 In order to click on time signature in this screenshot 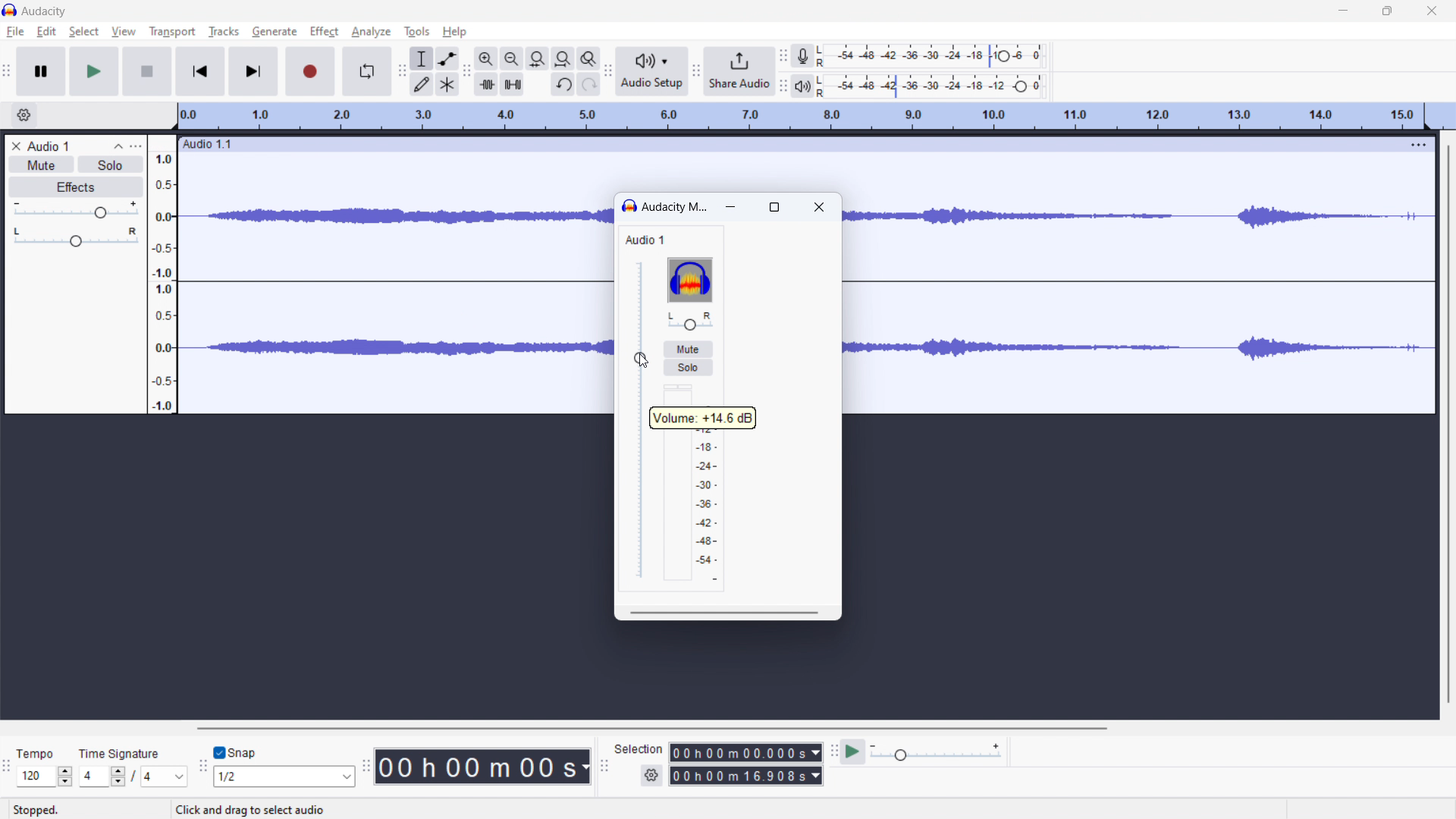, I will do `click(128, 749)`.